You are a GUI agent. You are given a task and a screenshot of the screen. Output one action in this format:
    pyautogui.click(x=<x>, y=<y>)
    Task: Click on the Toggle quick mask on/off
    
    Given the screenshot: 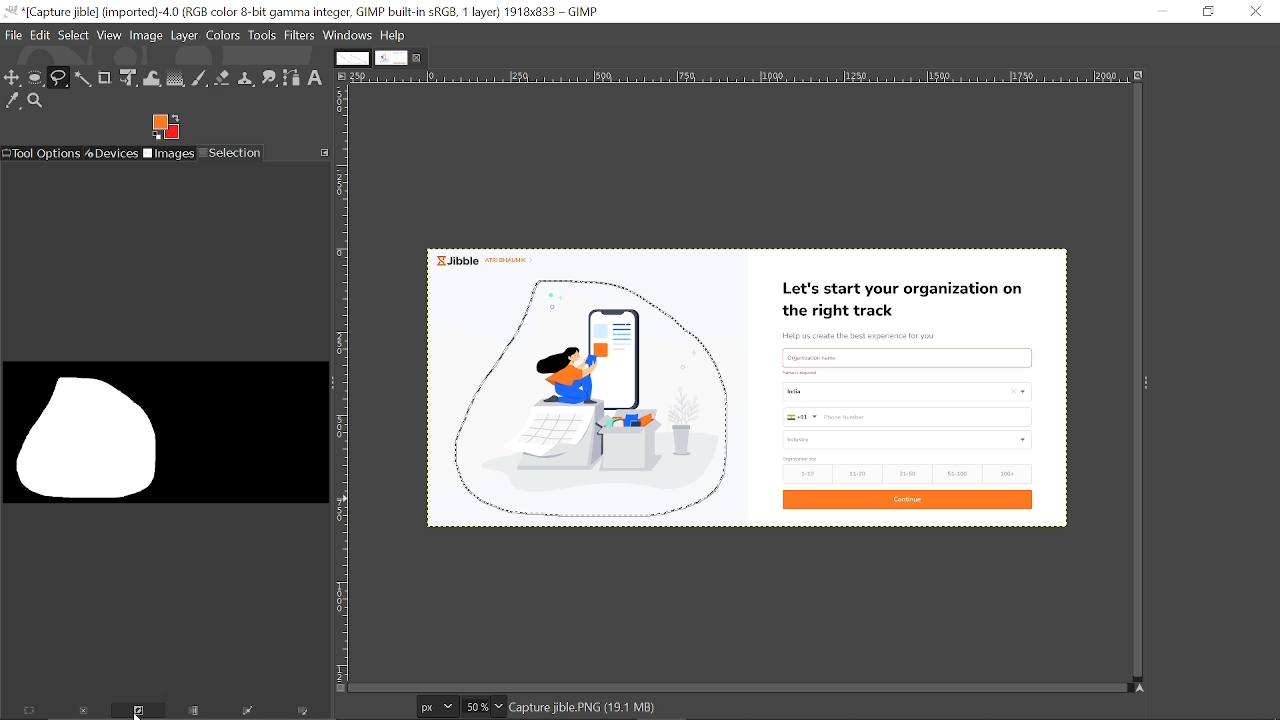 What is the action you would take?
    pyautogui.click(x=339, y=689)
    